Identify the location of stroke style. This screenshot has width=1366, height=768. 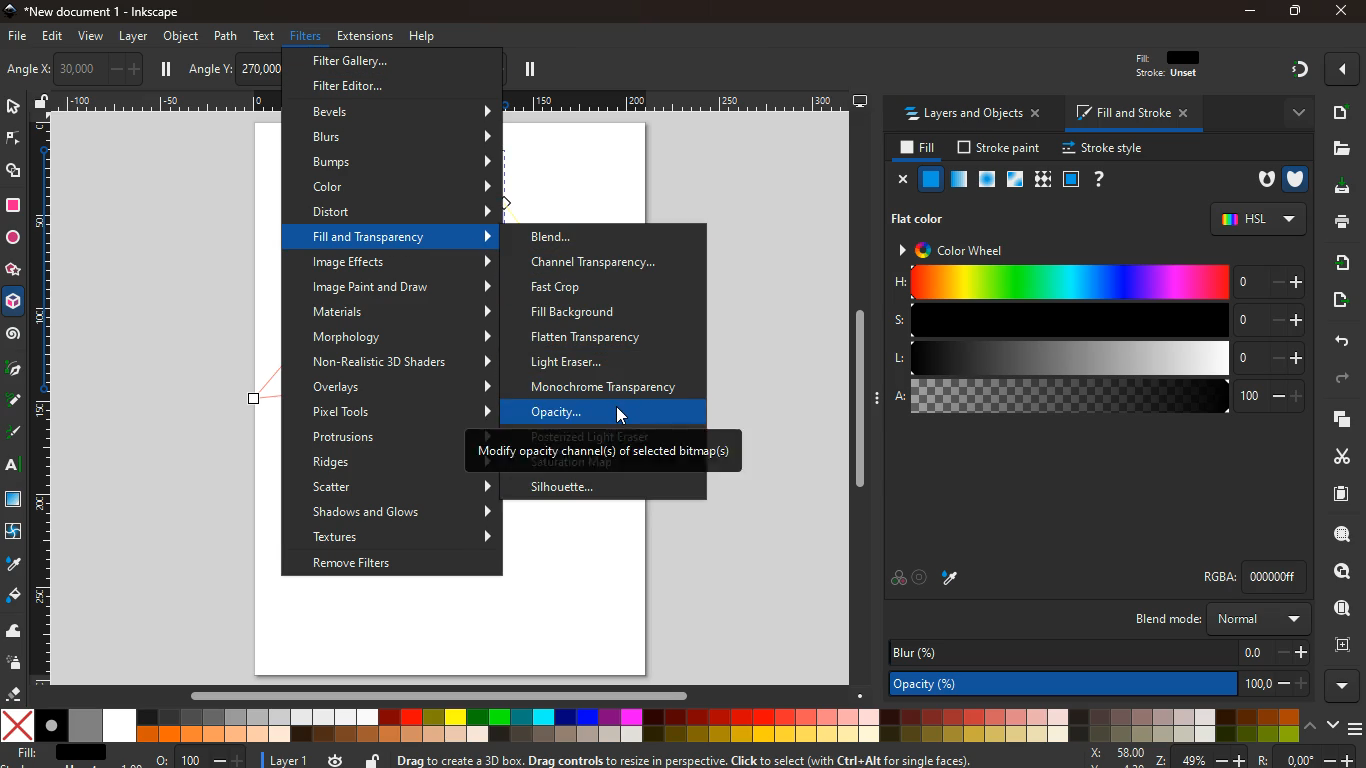
(1100, 149).